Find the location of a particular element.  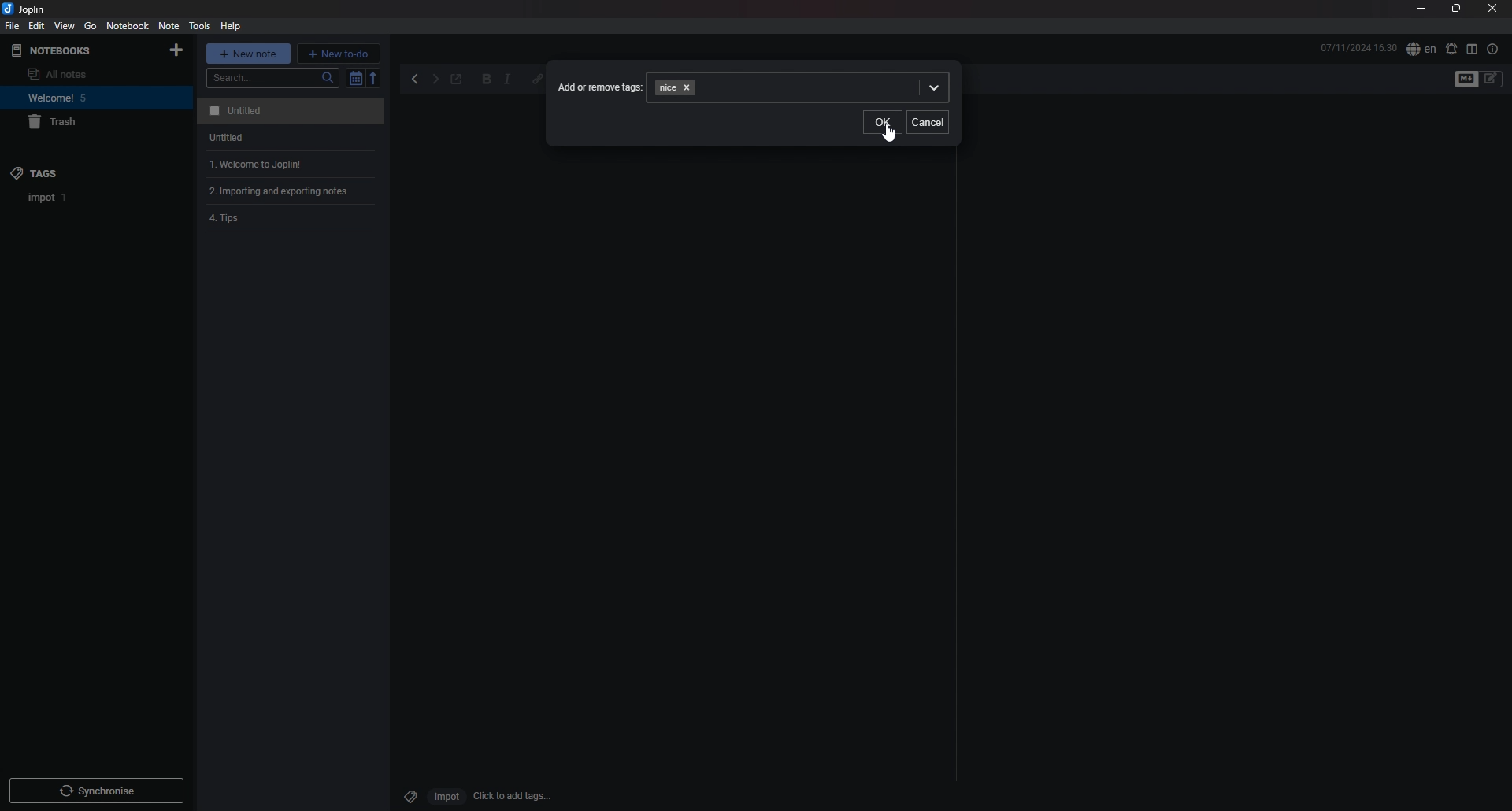

toggle editor layout is located at coordinates (1472, 49).